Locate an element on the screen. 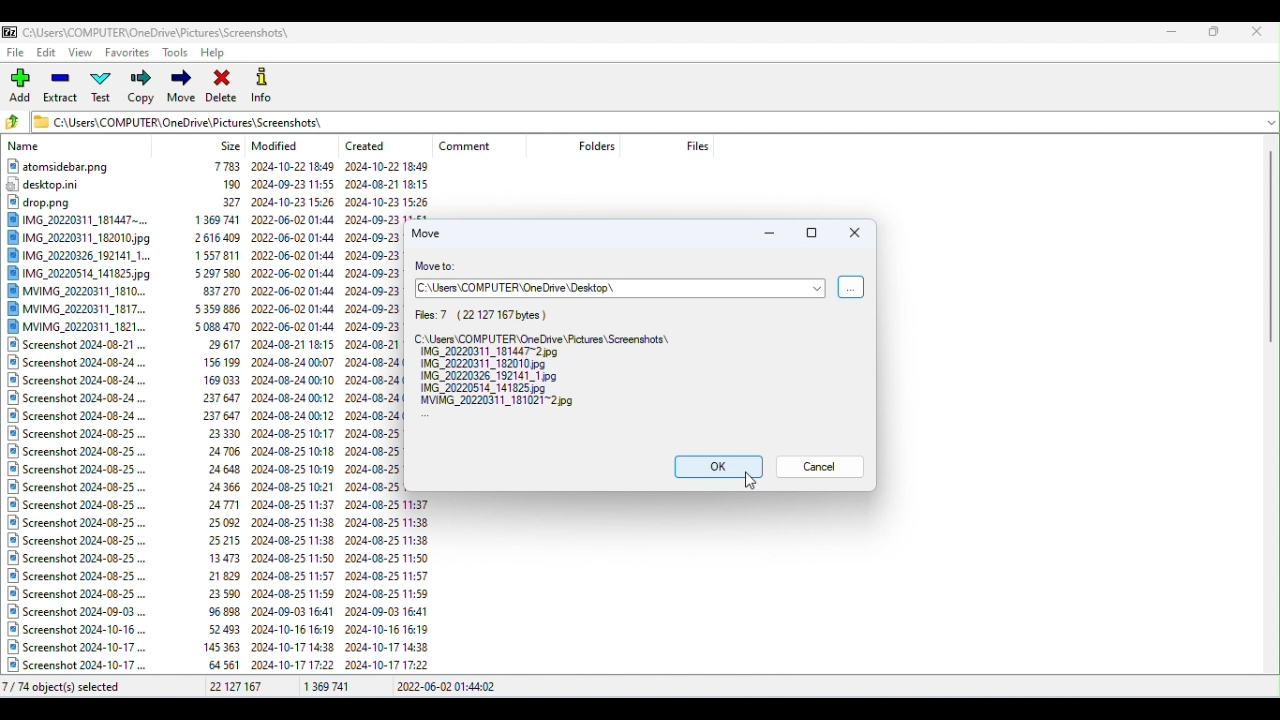  Name is located at coordinates (27, 147).